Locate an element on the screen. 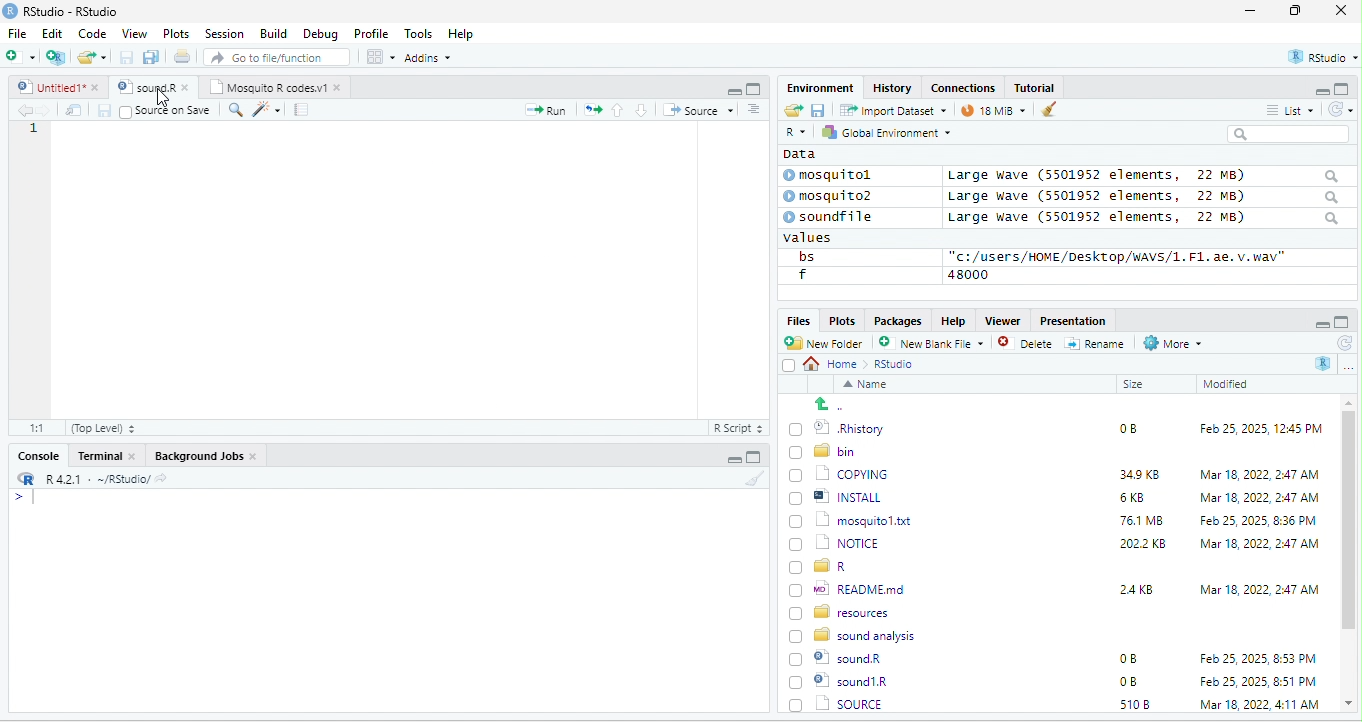  | SOURCE is located at coordinates (848, 681).